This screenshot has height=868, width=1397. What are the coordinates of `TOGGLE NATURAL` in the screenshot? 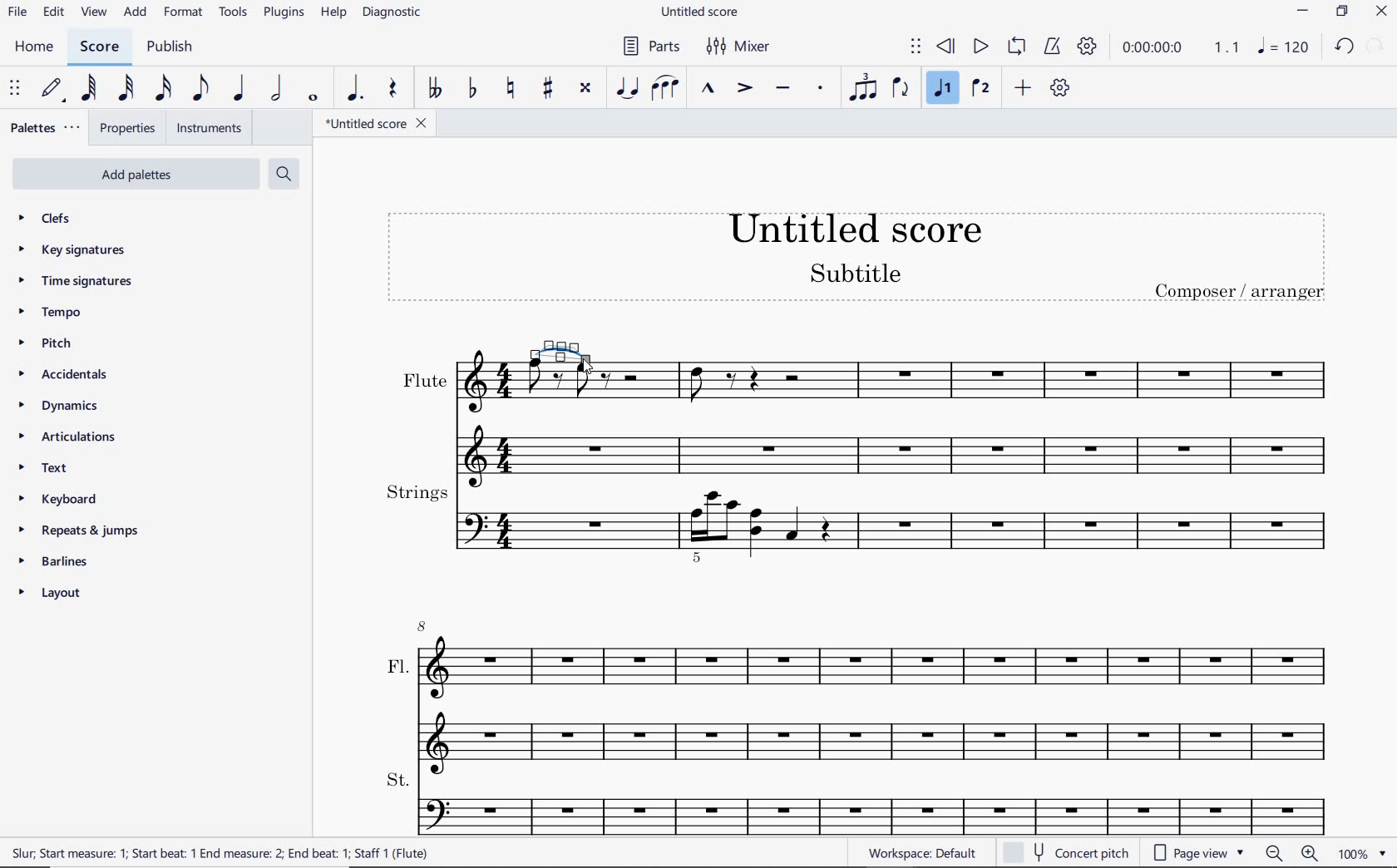 It's located at (508, 89).